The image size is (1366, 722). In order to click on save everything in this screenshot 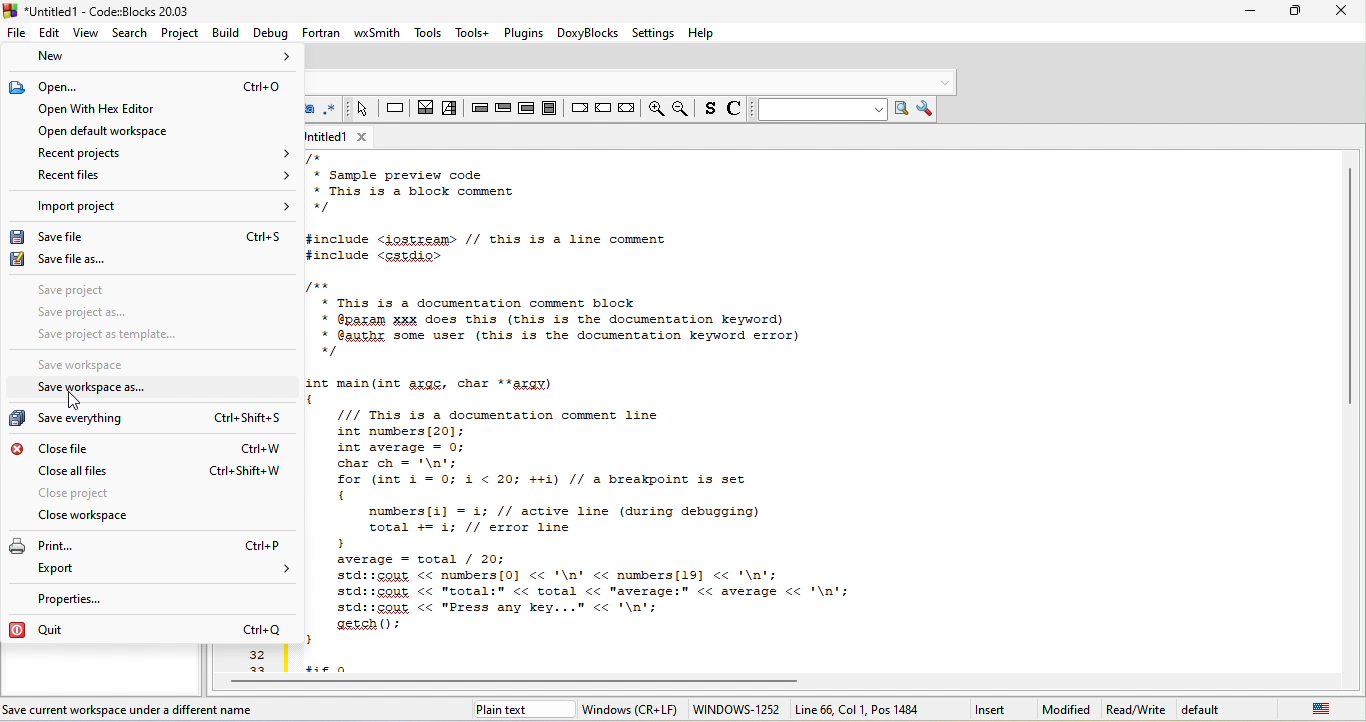, I will do `click(152, 421)`.